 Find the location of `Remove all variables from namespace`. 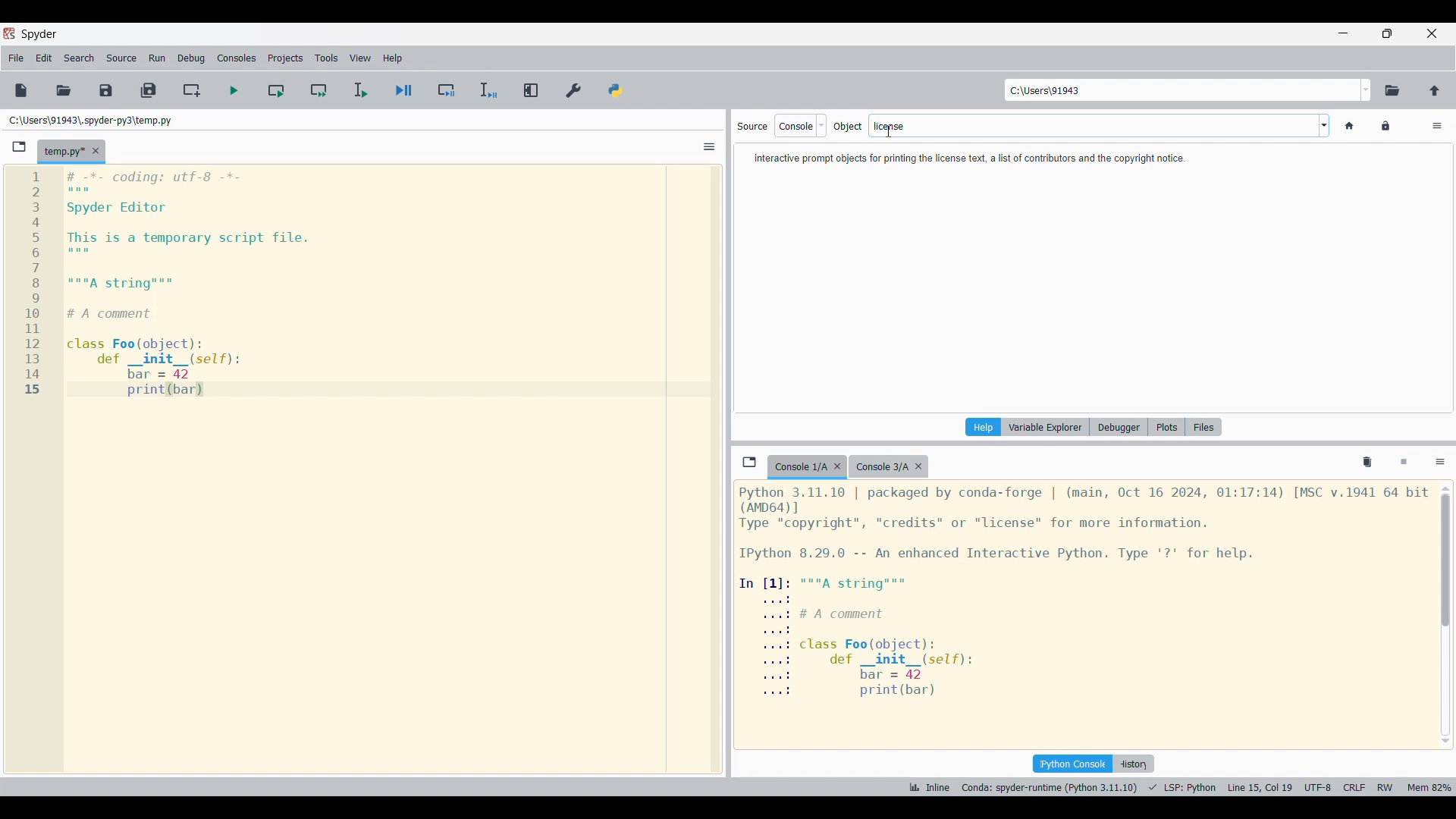

Remove all variables from namespace is located at coordinates (1367, 463).